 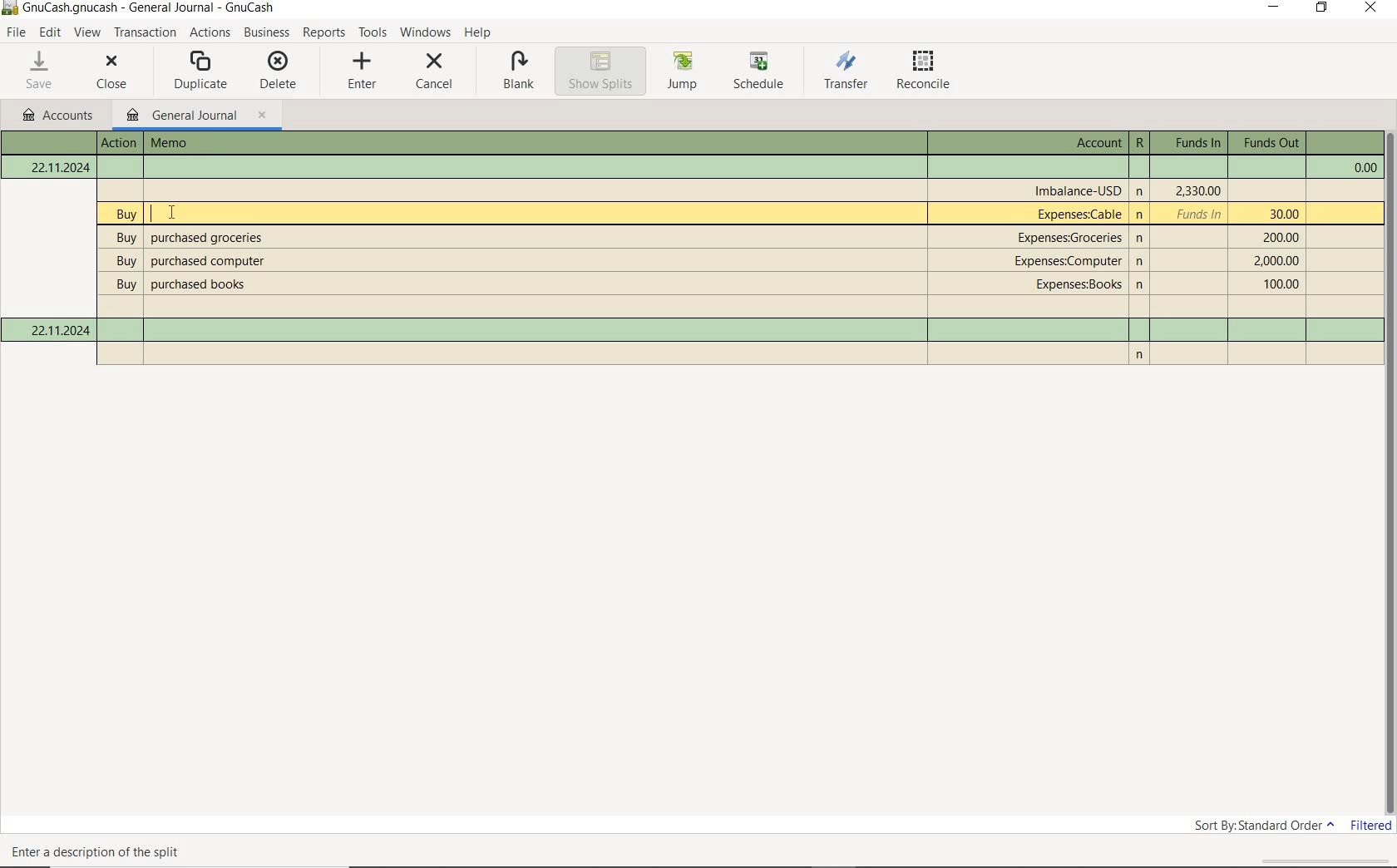 What do you see at coordinates (145, 32) in the screenshot?
I see `transaction` at bounding box center [145, 32].